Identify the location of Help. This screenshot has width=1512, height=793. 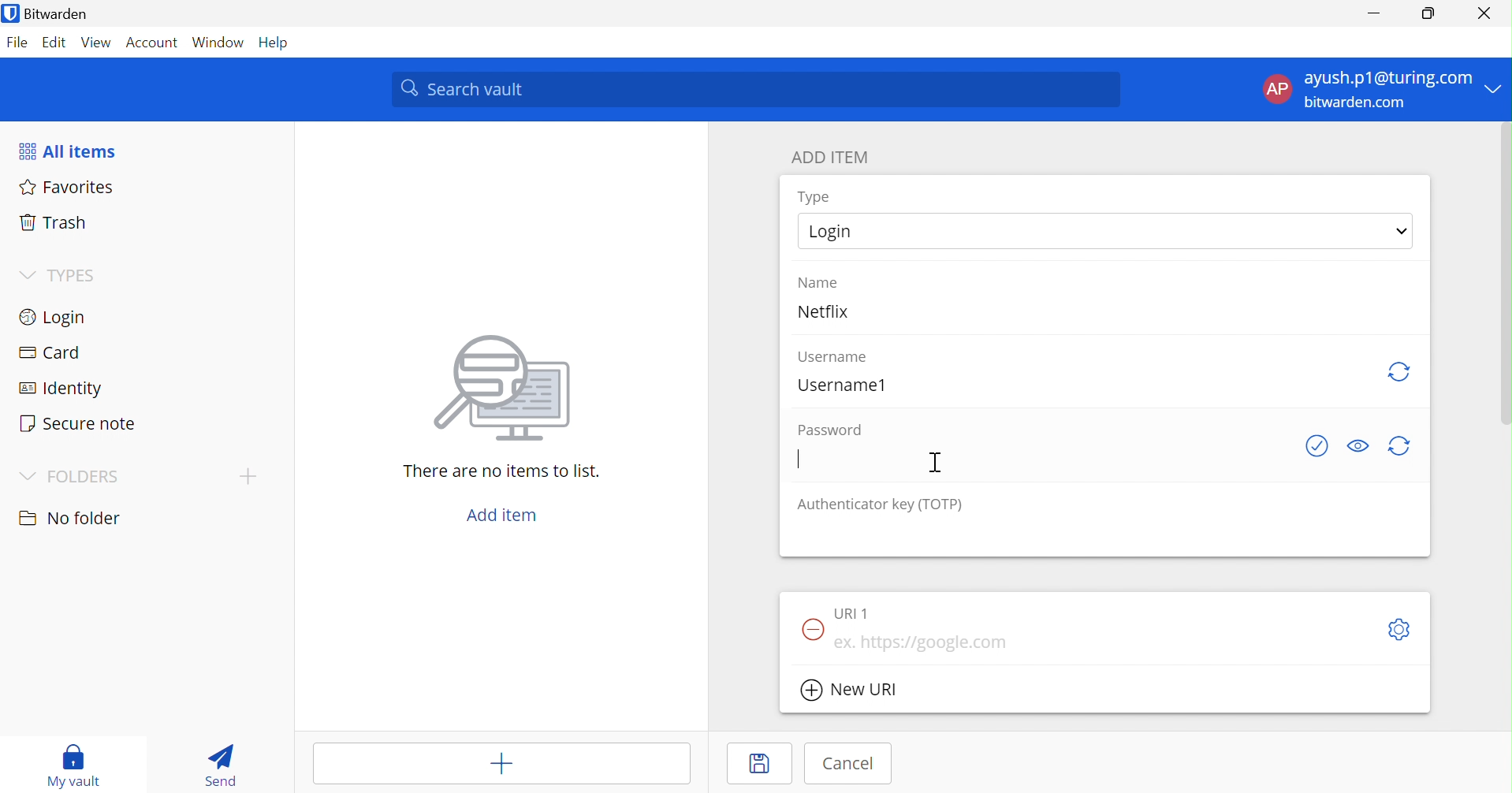
(275, 43).